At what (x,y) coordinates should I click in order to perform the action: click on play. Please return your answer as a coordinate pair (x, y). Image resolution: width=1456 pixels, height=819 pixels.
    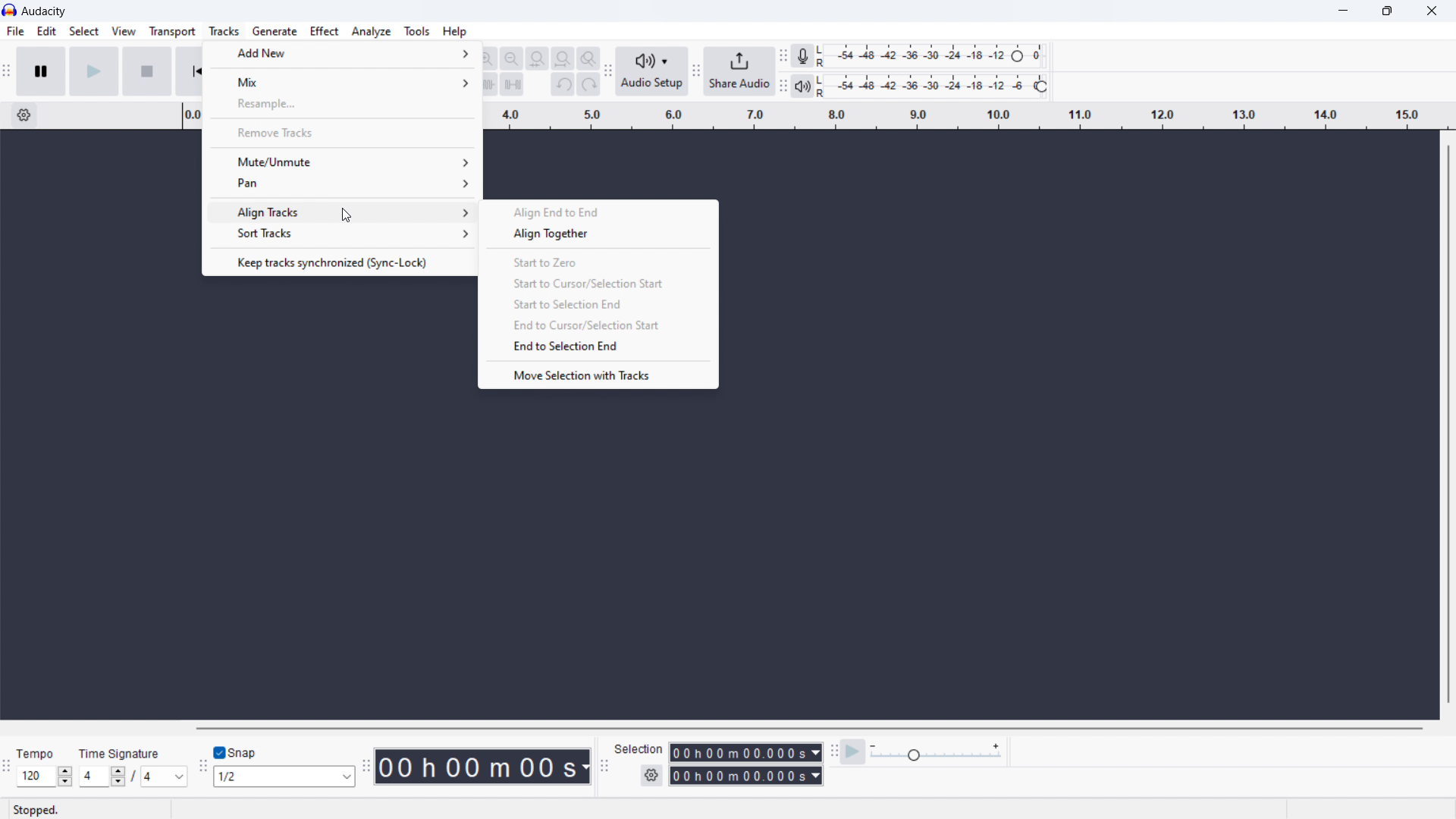
    Looking at the image, I should click on (93, 71).